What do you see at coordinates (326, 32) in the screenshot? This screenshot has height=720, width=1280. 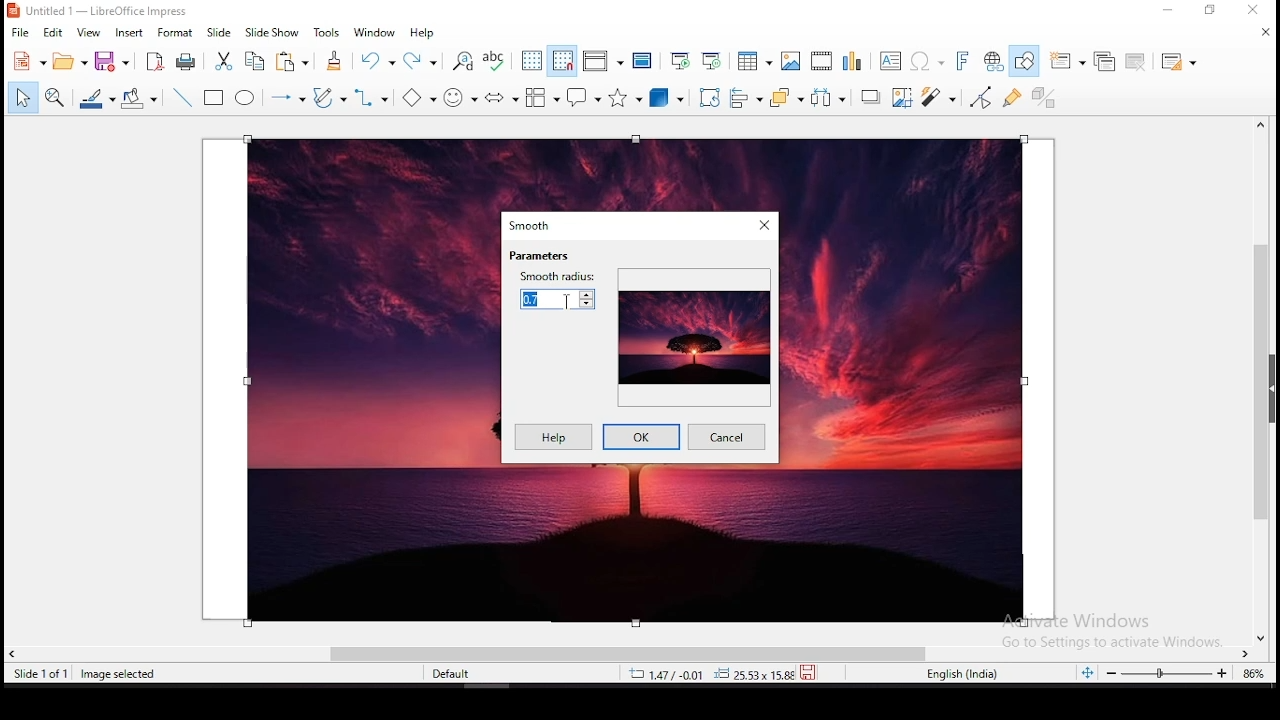 I see `tools` at bounding box center [326, 32].